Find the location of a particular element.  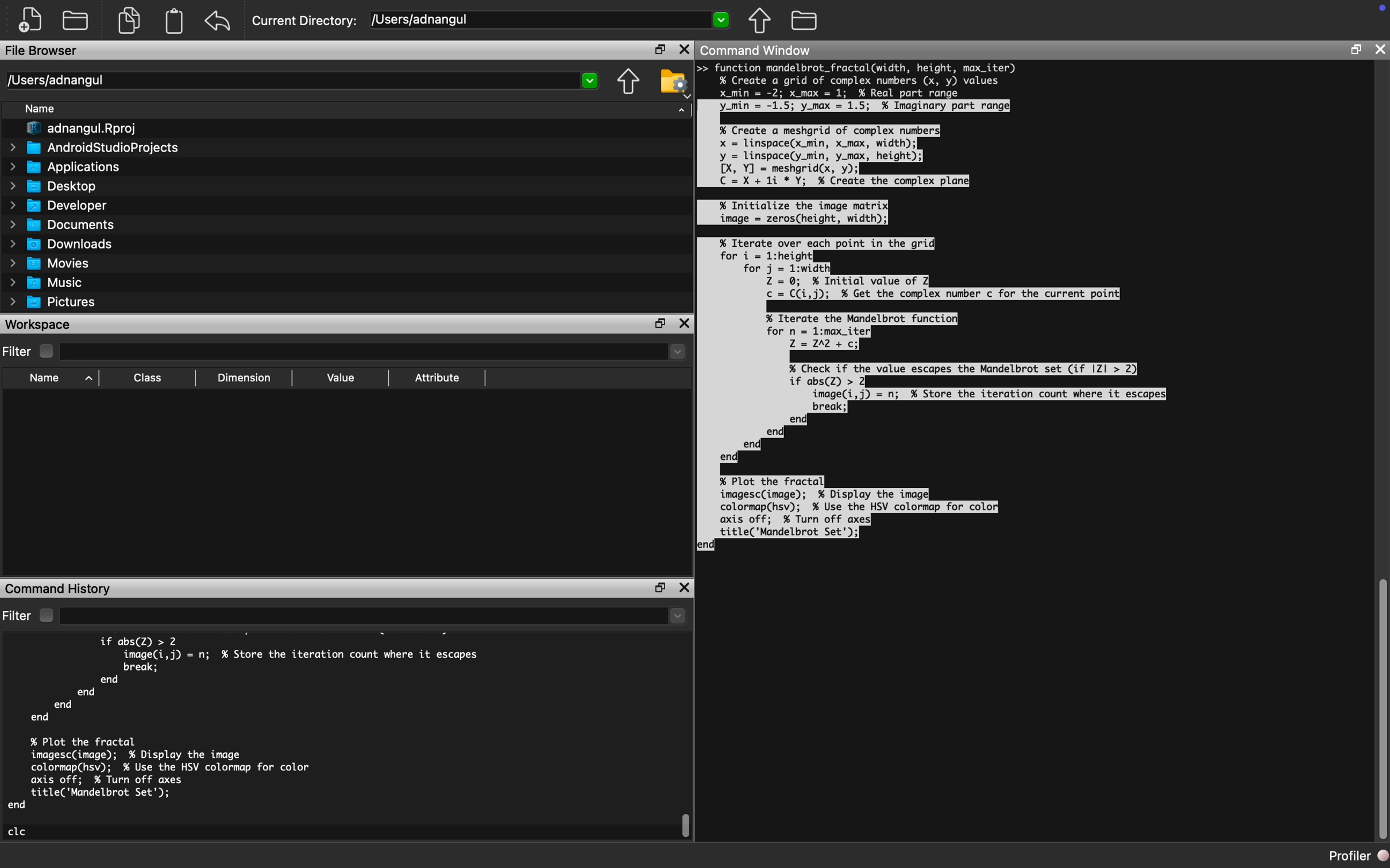

New File is located at coordinates (29, 21).